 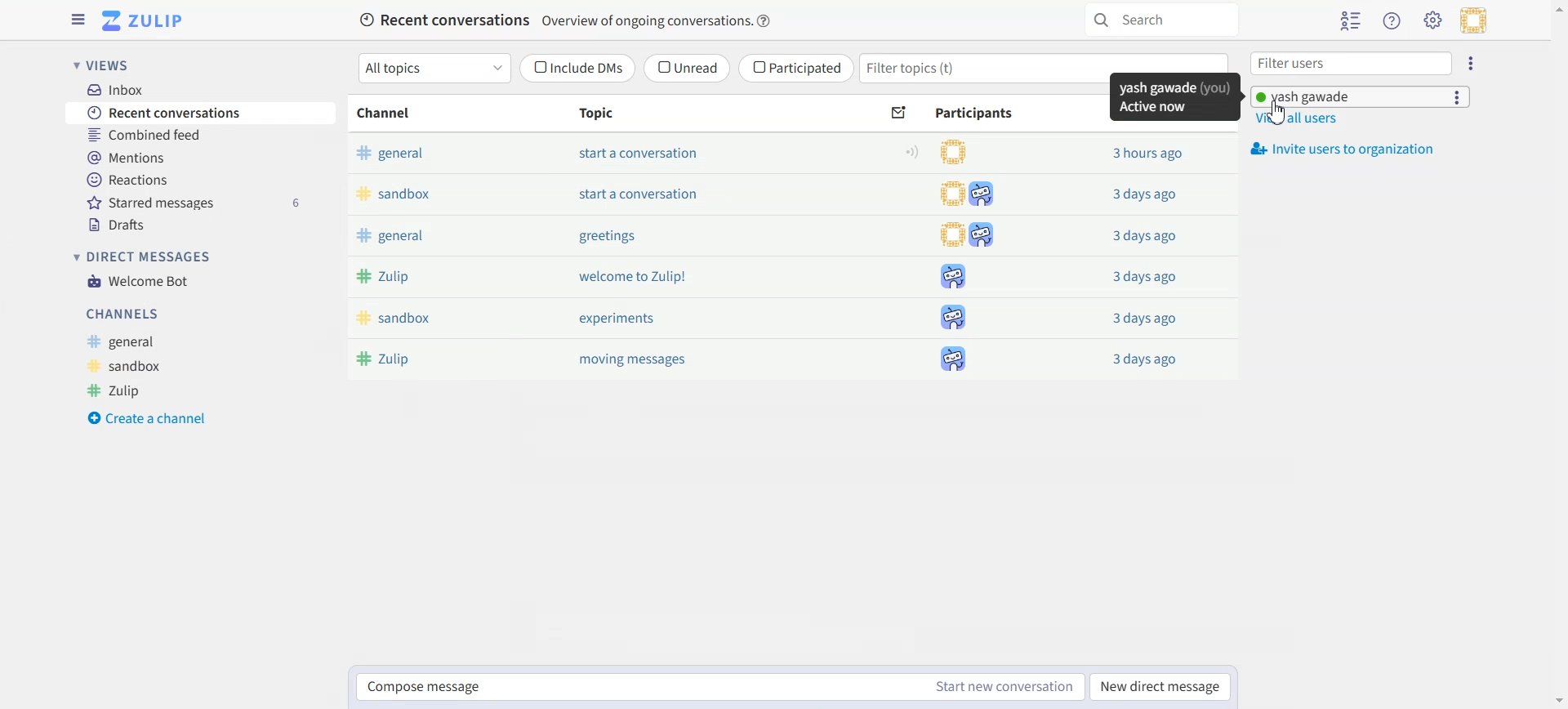 What do you see at coordinates (1303, 121) in the screenshot?
I see `View all users` at bounding box center [1303, 121].